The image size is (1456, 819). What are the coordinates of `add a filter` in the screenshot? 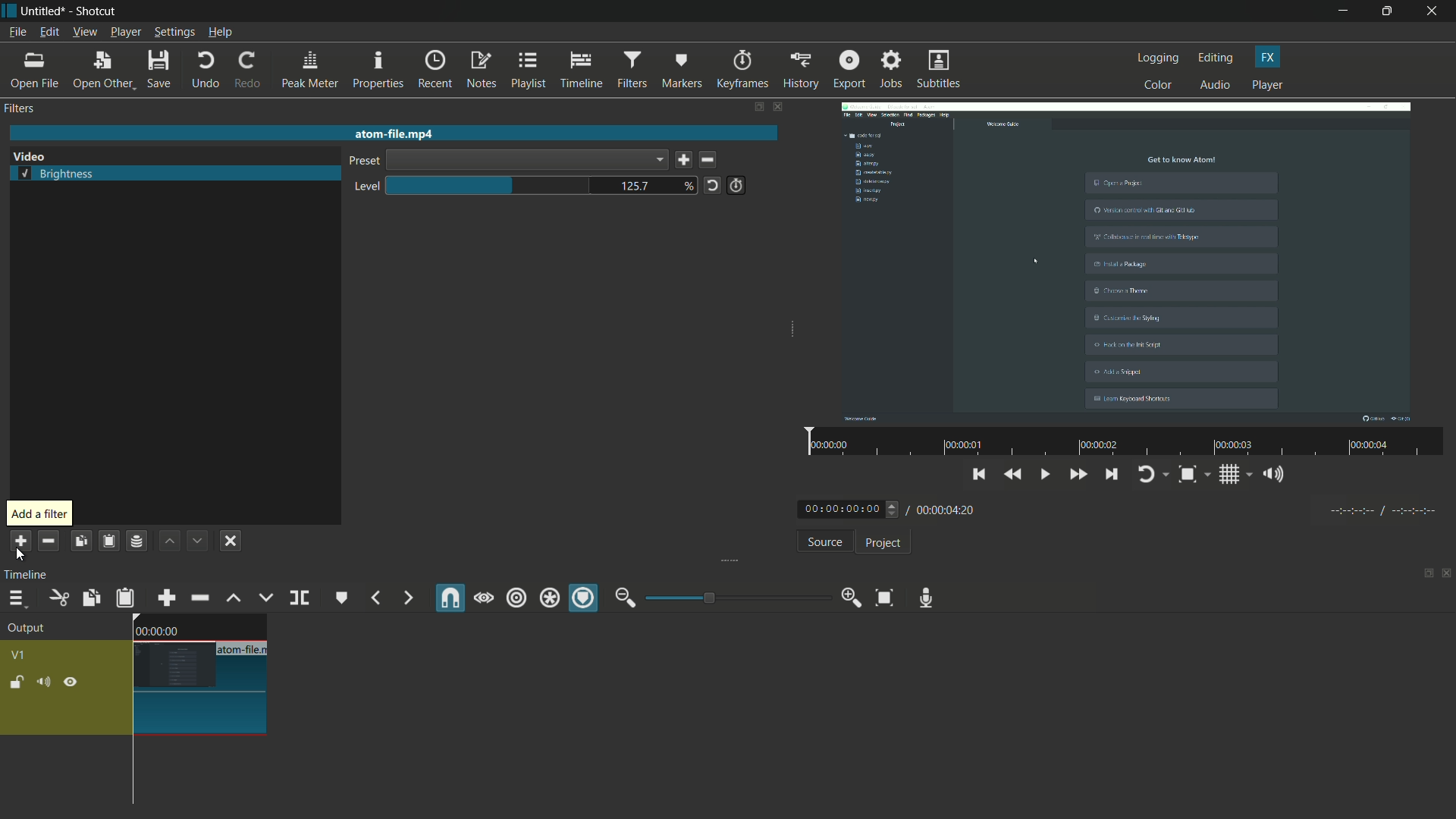 It's located at (39, 514).